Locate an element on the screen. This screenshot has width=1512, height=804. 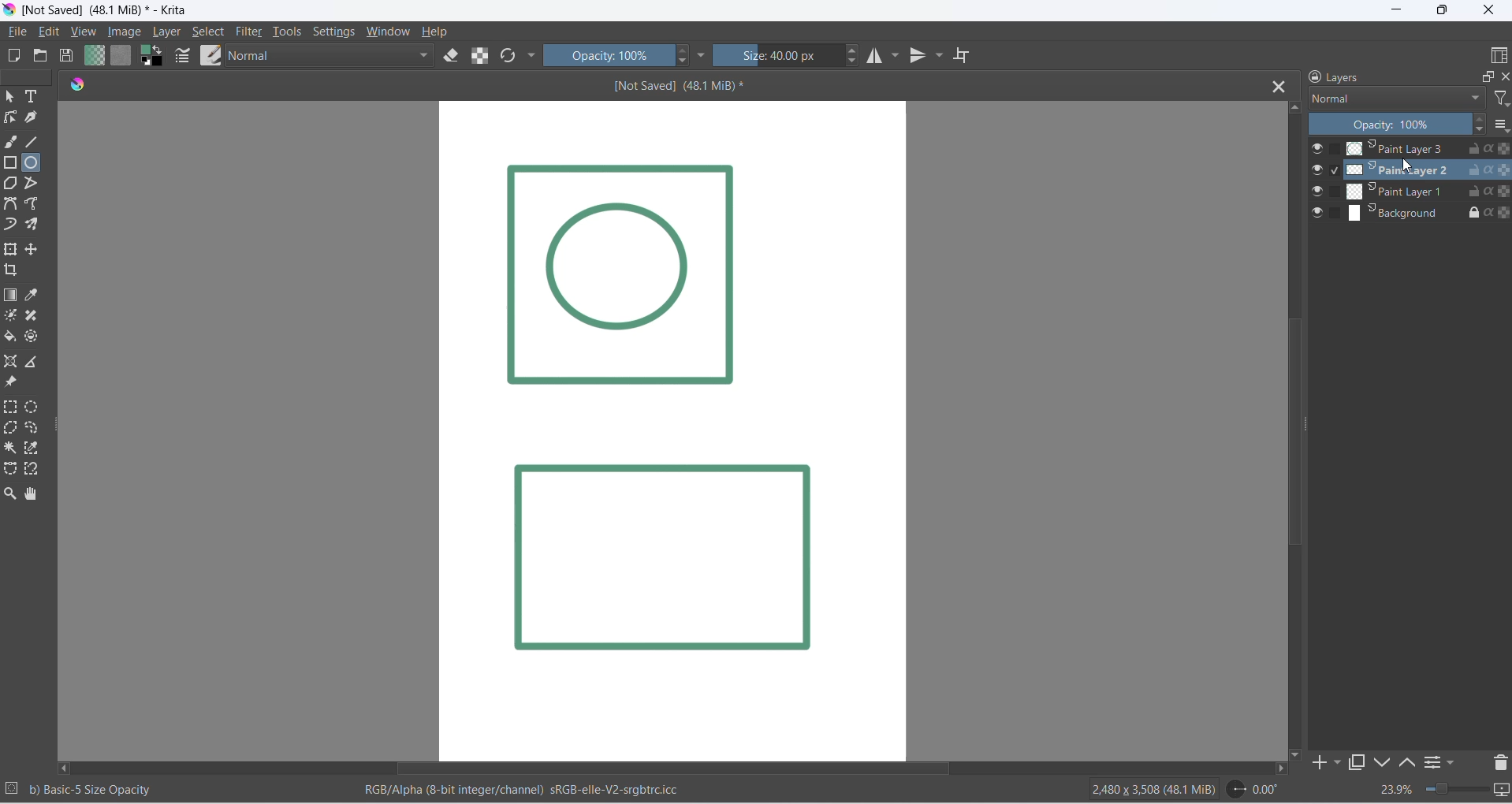
move up is located at coordinates (1406, 762).